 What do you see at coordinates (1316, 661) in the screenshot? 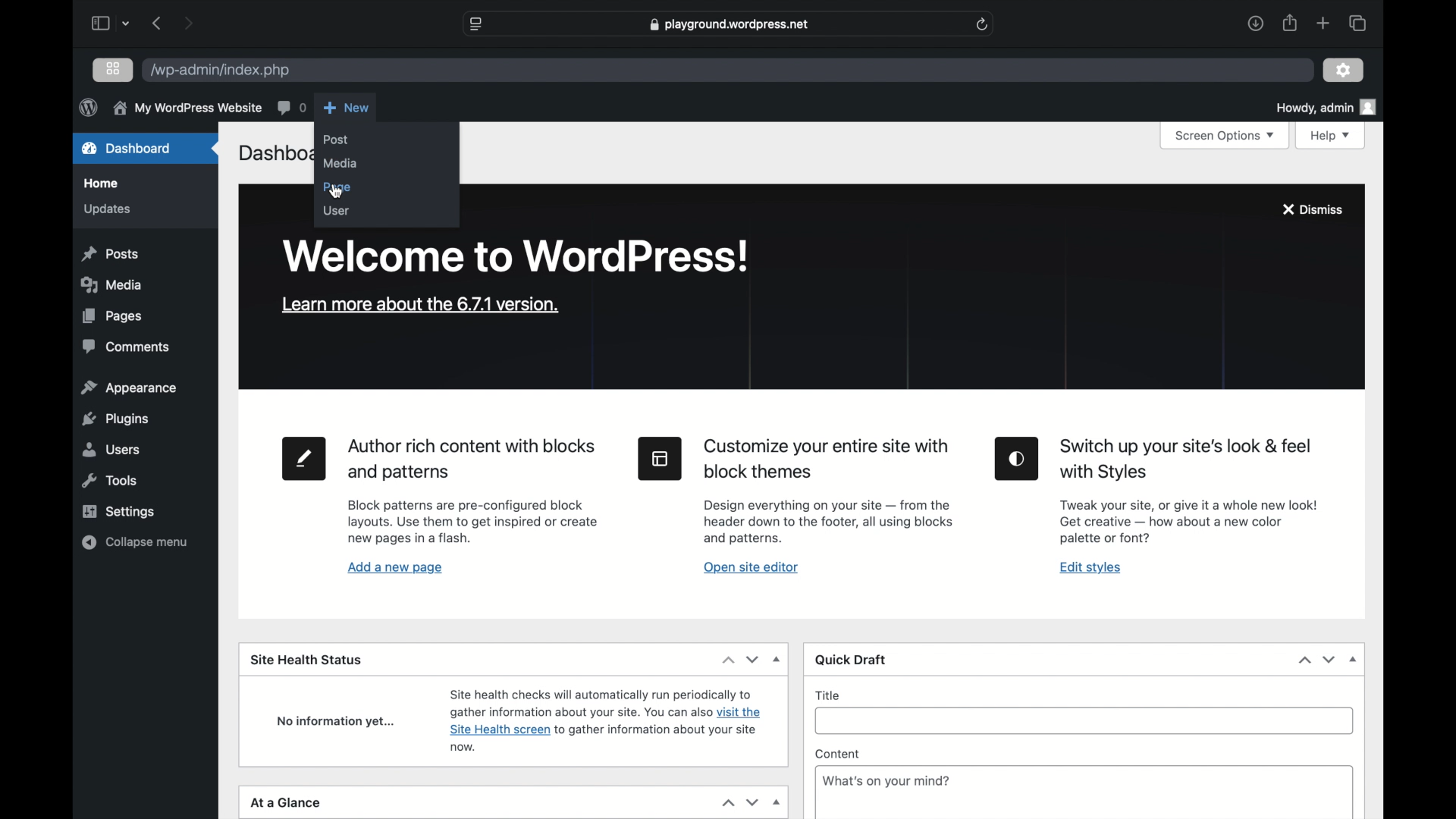
I see `stepper buttons` at bounding box center [1316, 661].